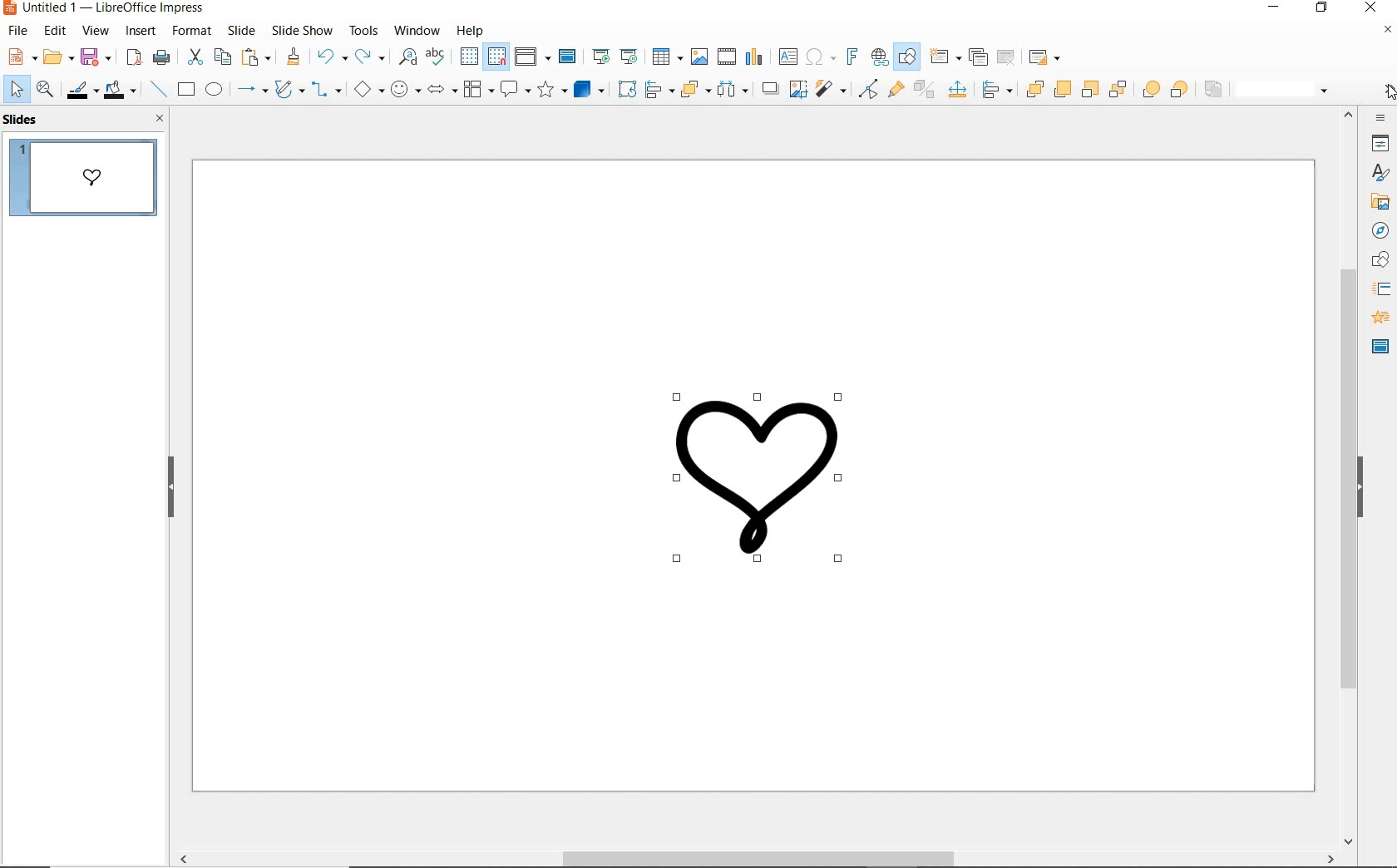 Image resolution: width=1397 pixels, height=868 pixels. What do you see at coordinates (726, 57) in the screenshot?
I see `insert video` at bounding box center [726, 57].